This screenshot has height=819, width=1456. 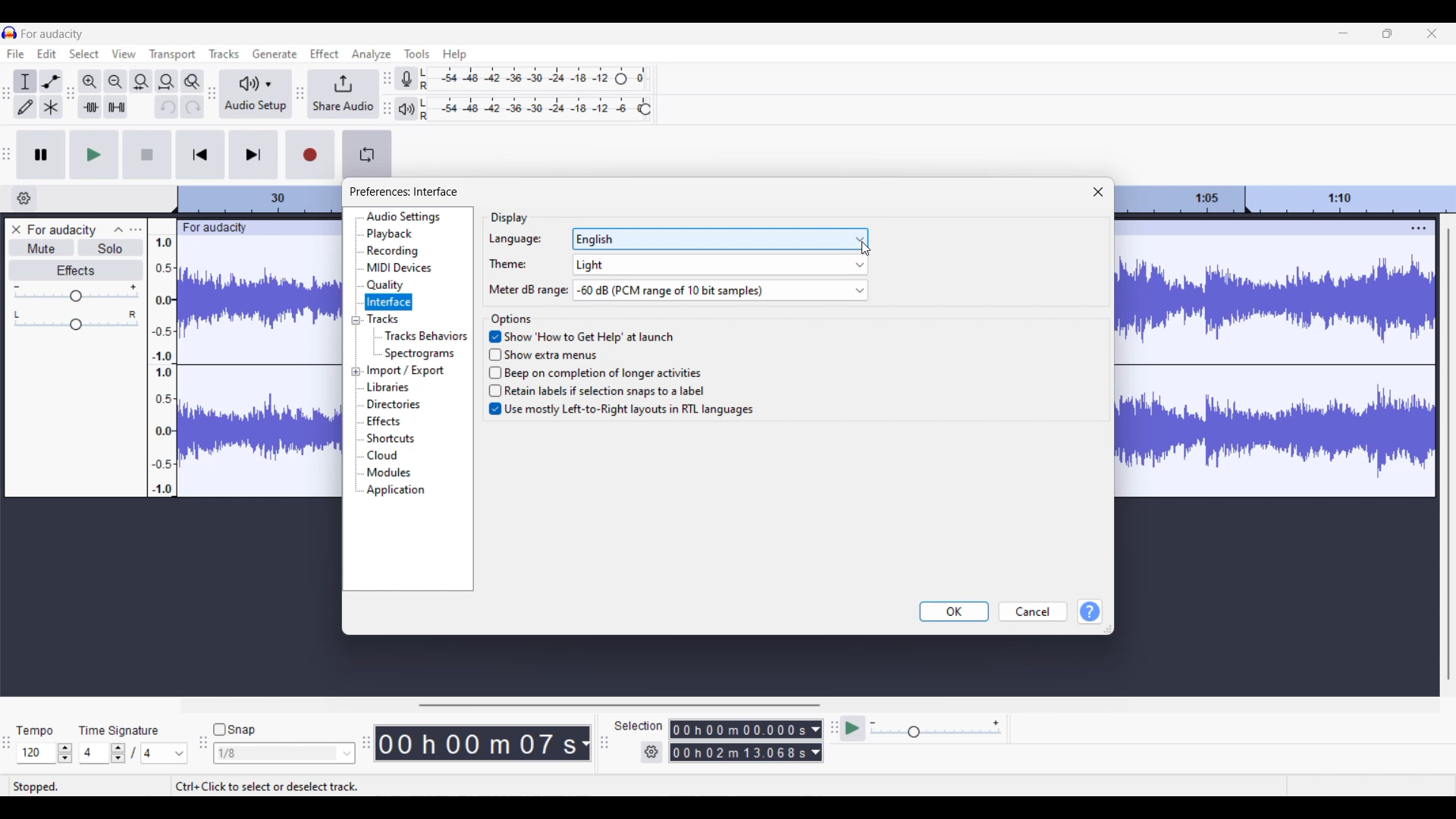 I want to click on Tools menu, so click(x=417, y=53).